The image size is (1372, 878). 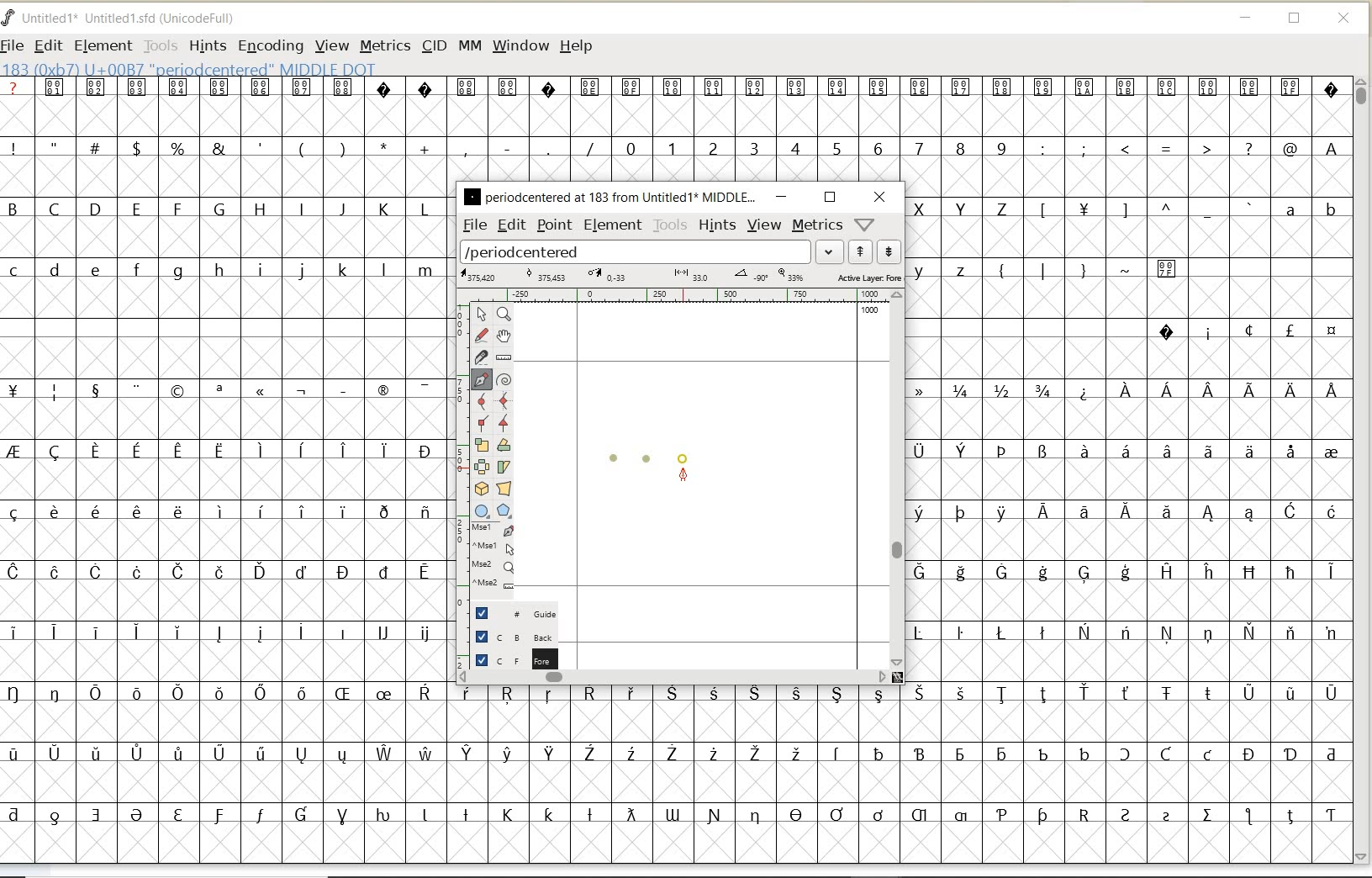 I want to click on active layer, so click(x=679, y=277).